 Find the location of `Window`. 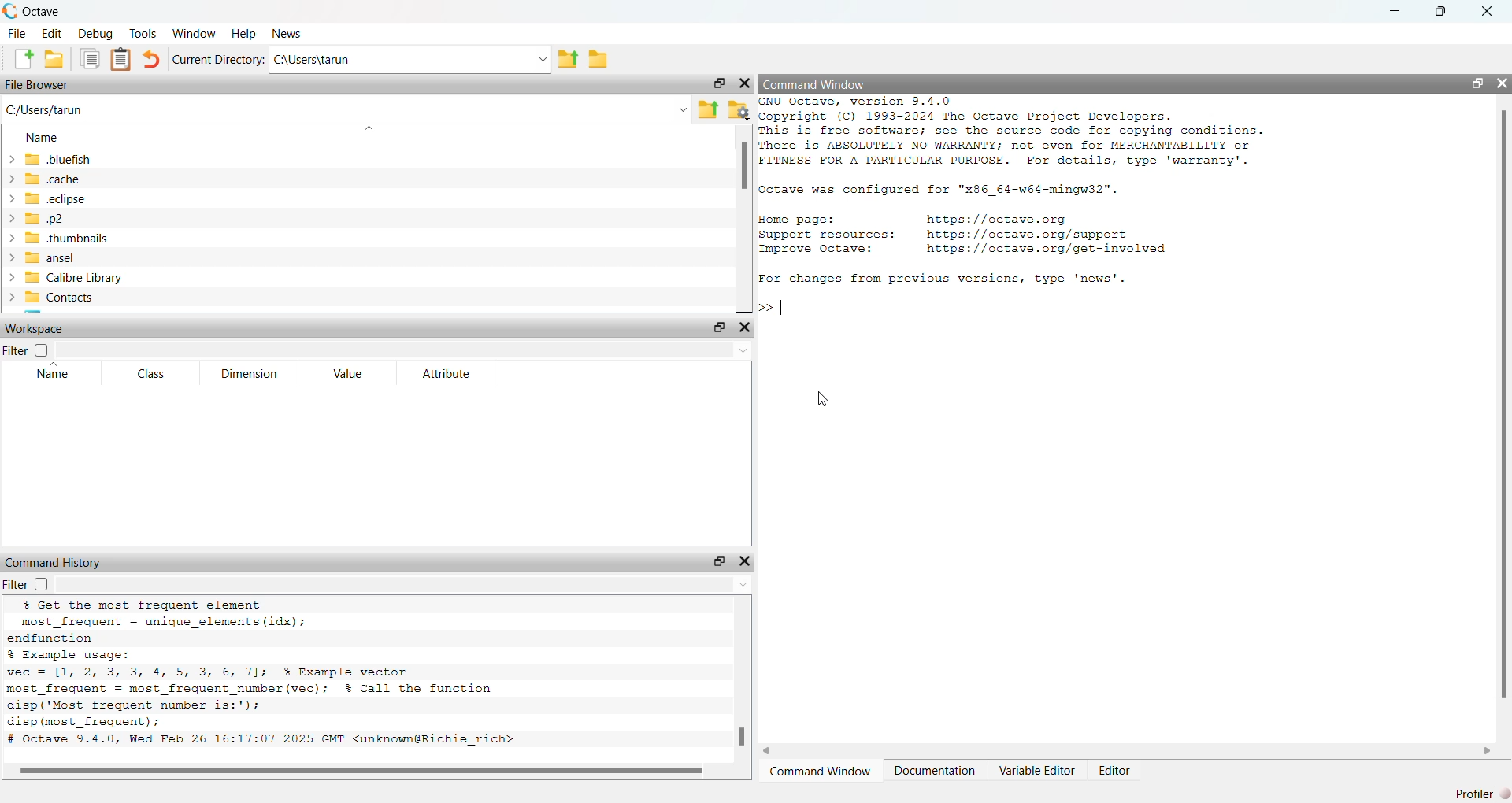

Window is located at coordinates (194, 33).